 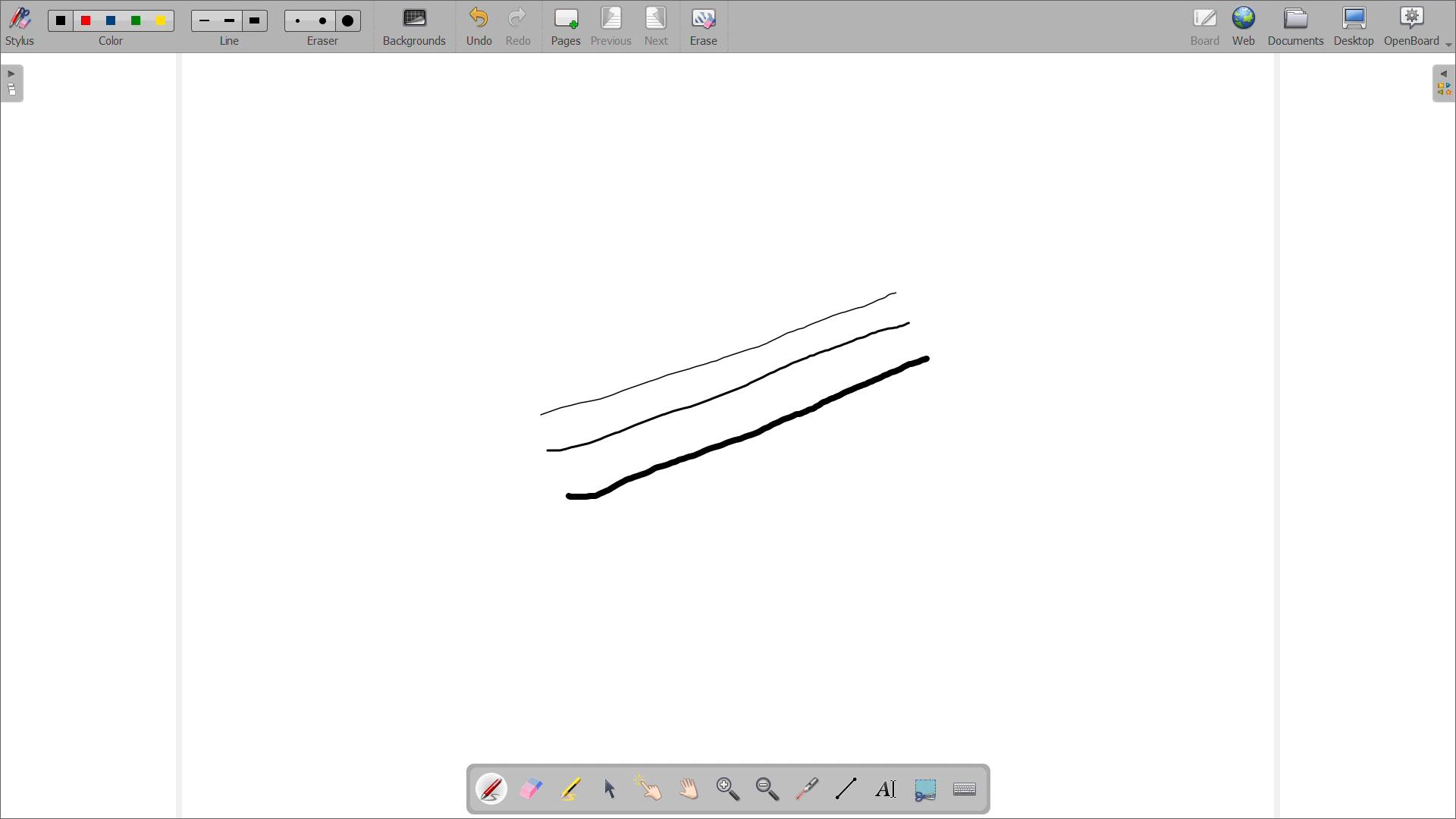 What do you see at coordinates (415, 26) in the screenshot?
I see `backgrounds` at bounding box center [415, 26].